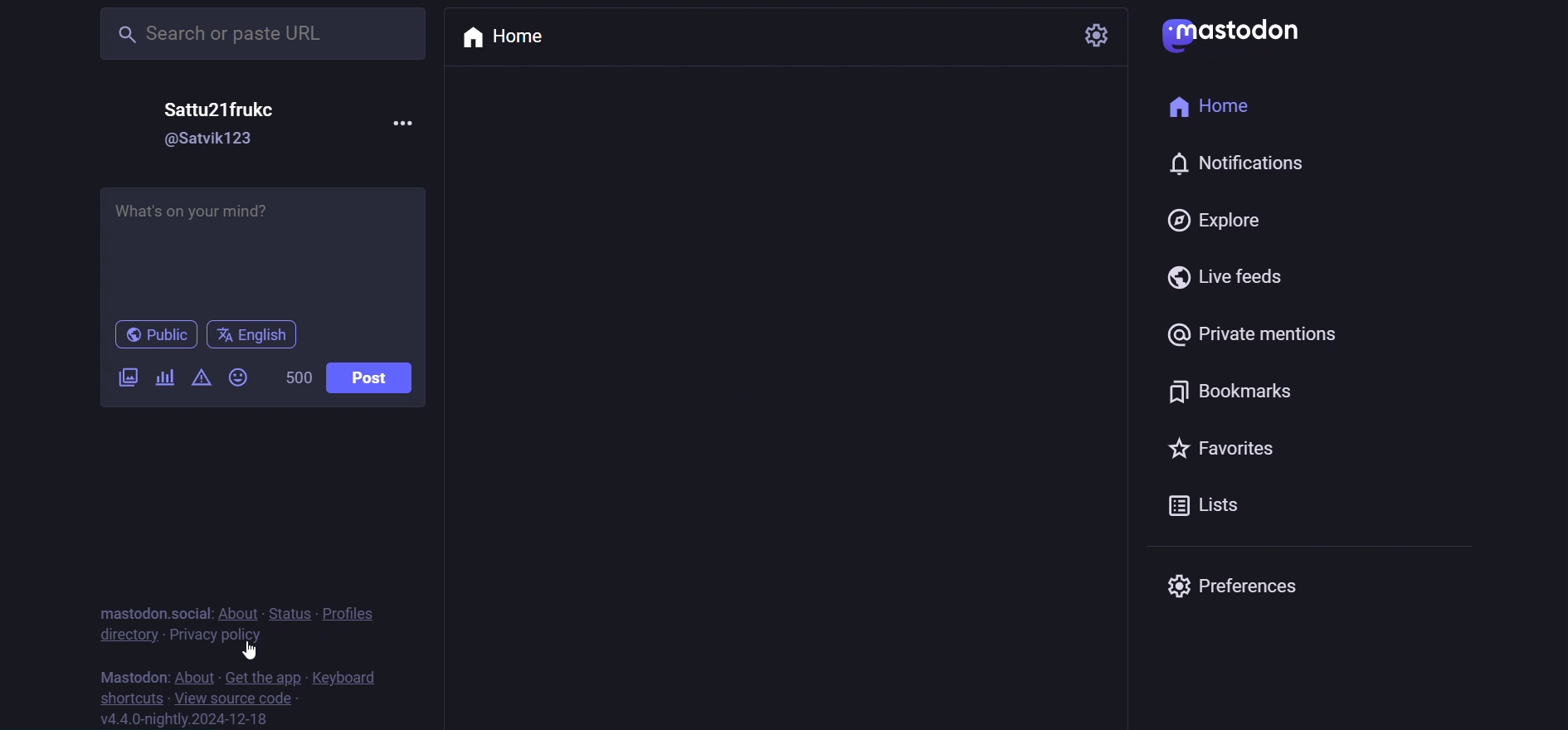  What do you see at coordinates (134, 674) in the screenshot?
I see `mastodon` at bounding box center [134, 674].